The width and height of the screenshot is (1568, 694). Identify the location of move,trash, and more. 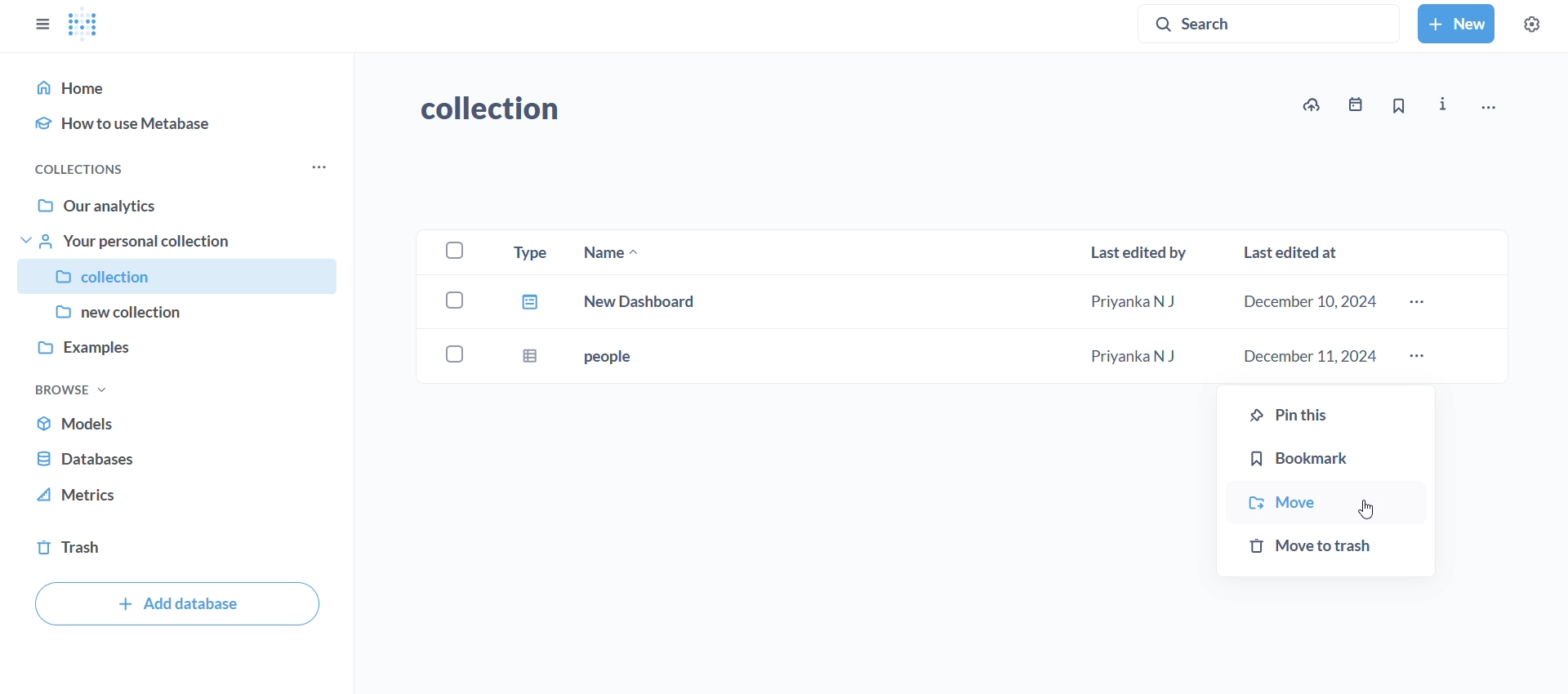
(1487, 109).